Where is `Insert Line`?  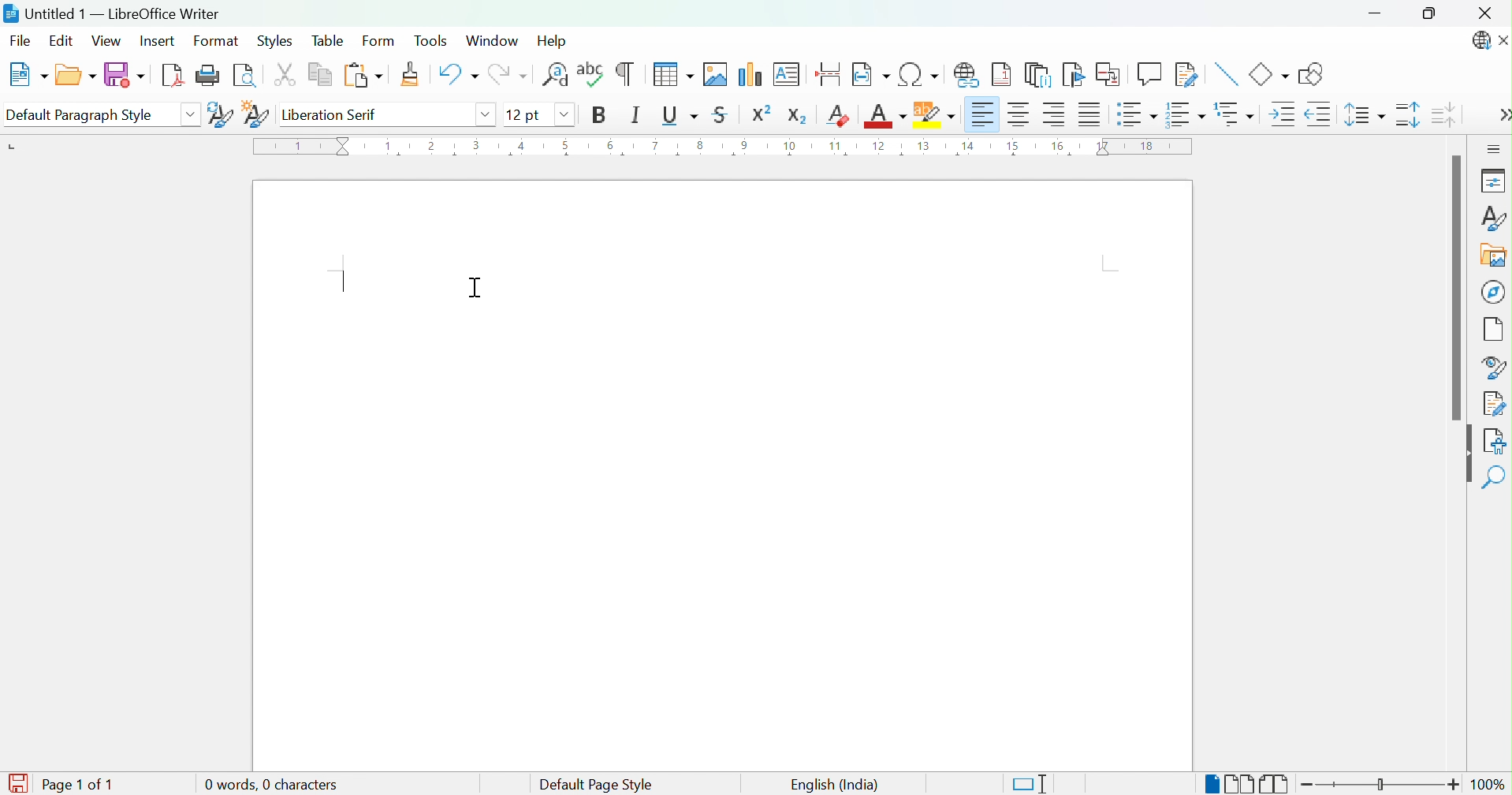
Insert Line is located at coordinates (1224, 72).